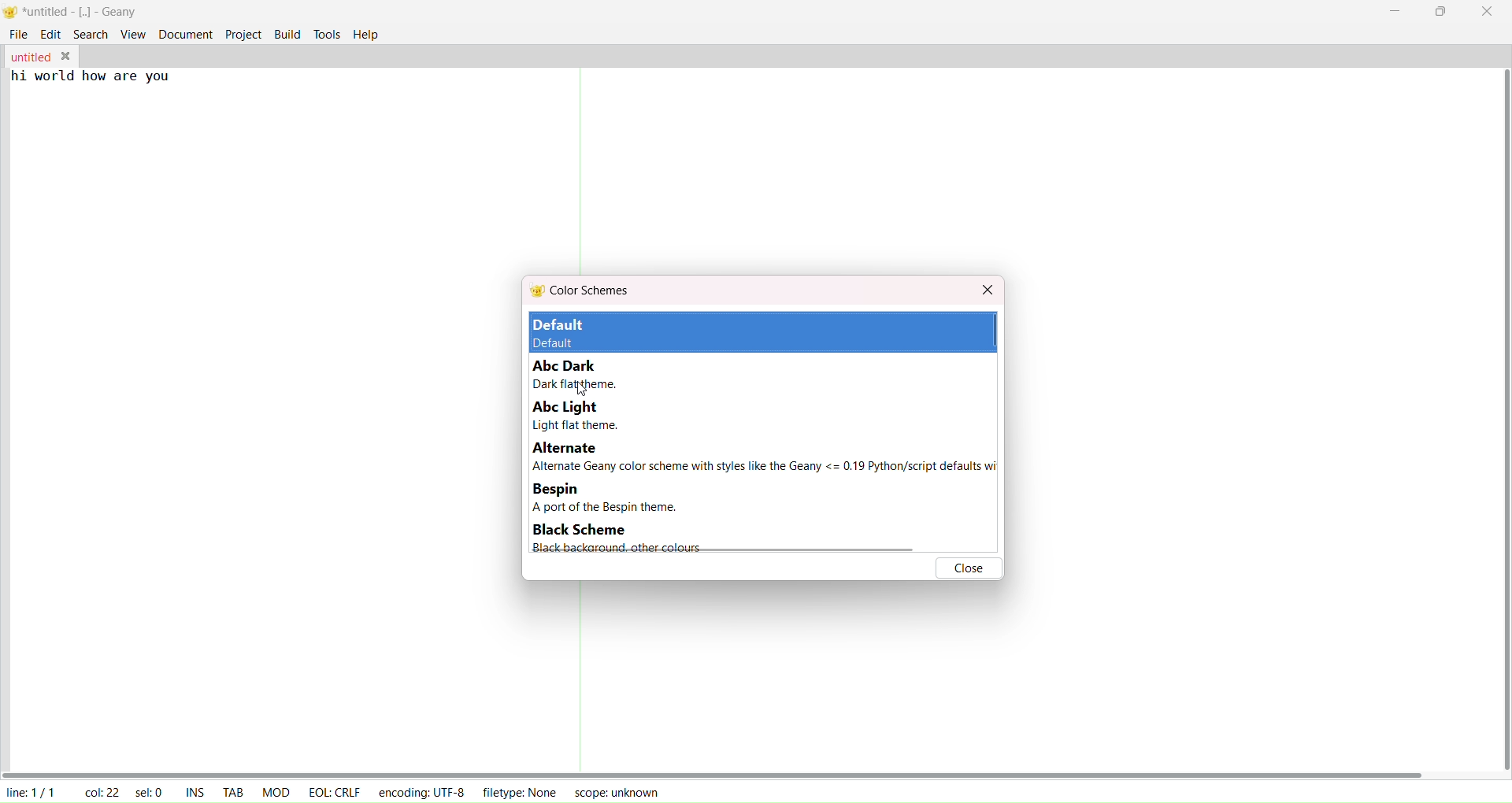  Describe the element at coordinates (244, 34) in the screenshot. I see `project` at that location.